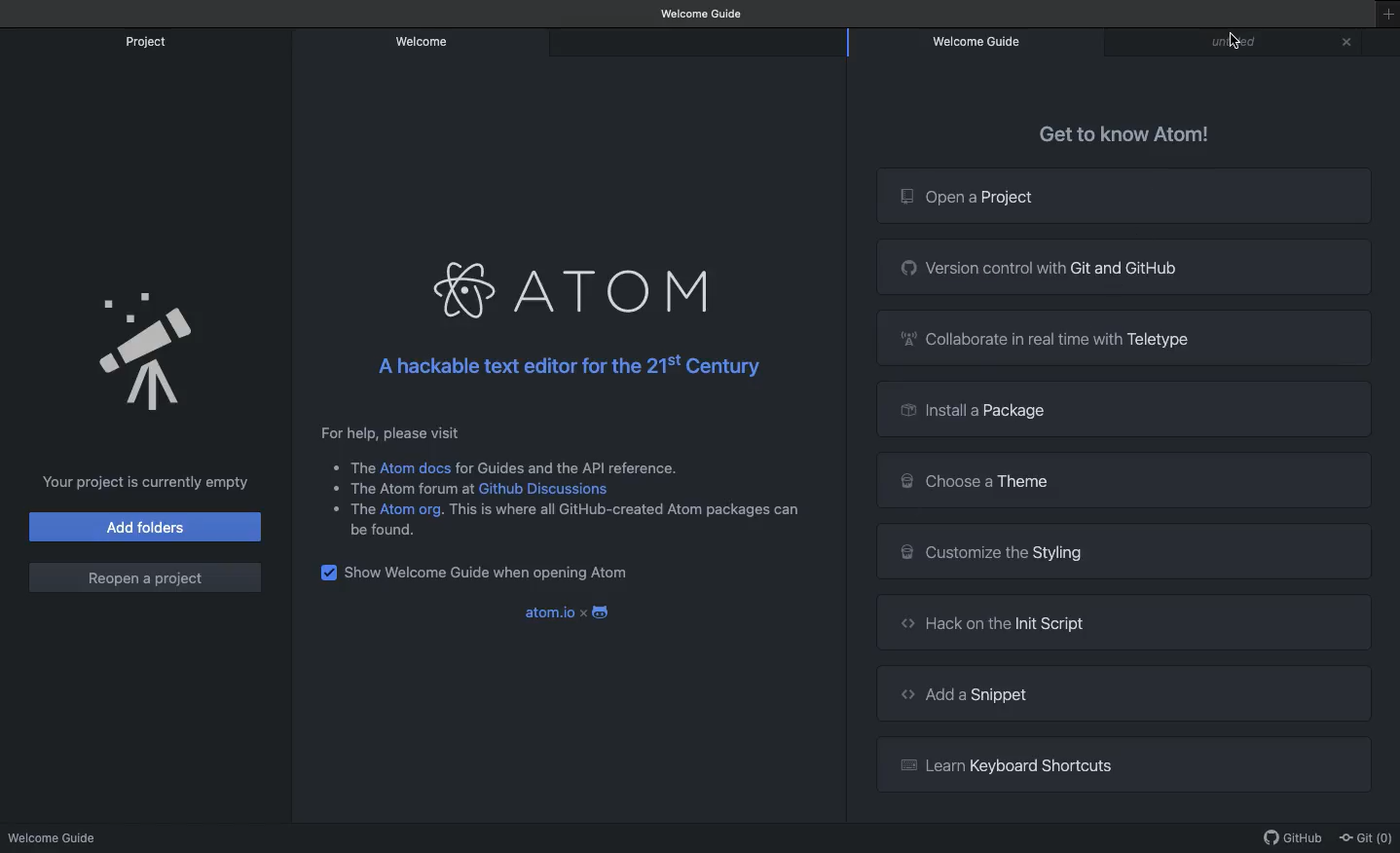 The width and height of the screenshot is (1400, 853). Describe the element at coordinates (1364, 834) in the screenshot. I see `Git` at that location.